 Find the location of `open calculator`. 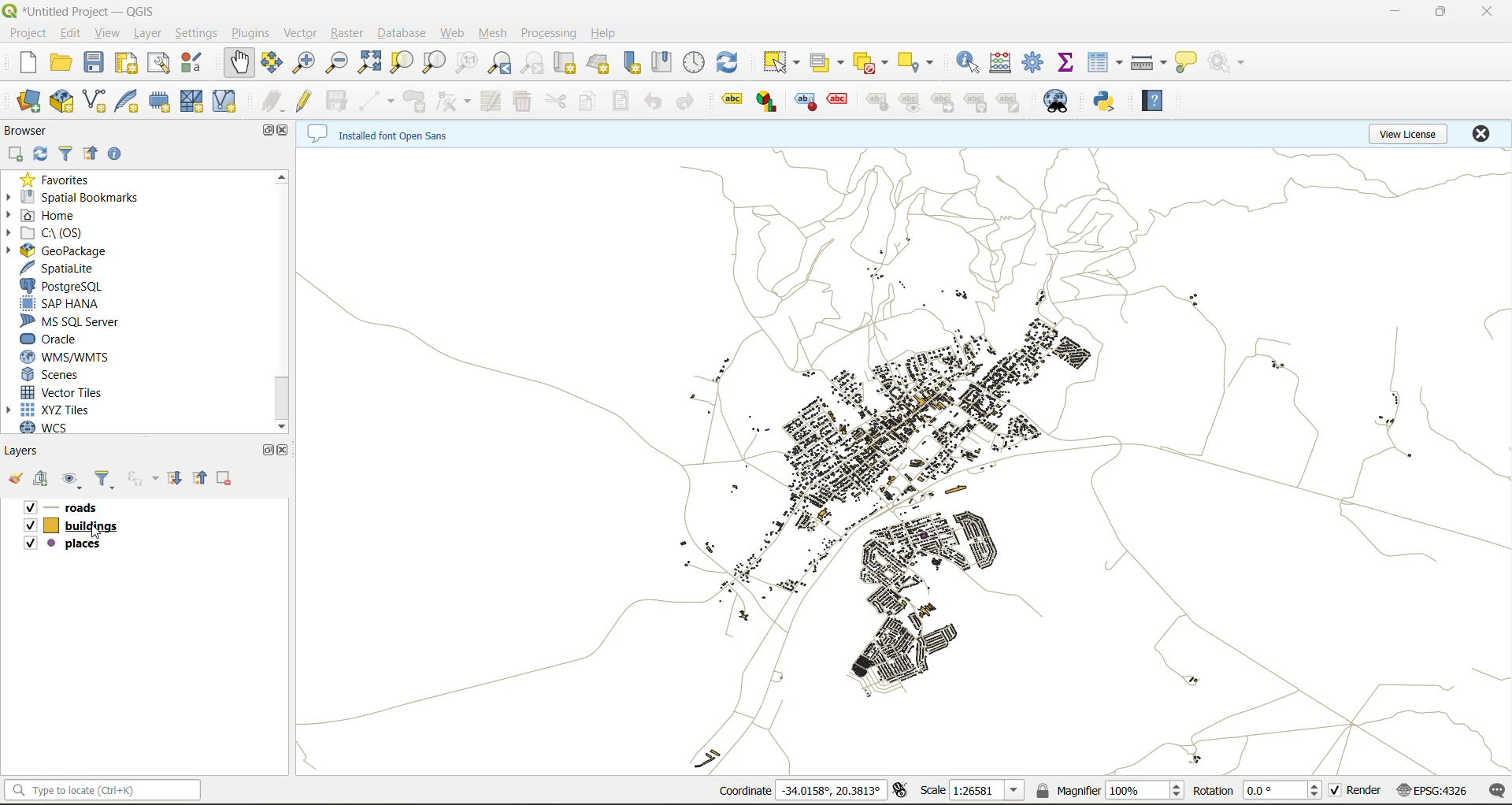

open calculator is located at coordinates (1004, 65).